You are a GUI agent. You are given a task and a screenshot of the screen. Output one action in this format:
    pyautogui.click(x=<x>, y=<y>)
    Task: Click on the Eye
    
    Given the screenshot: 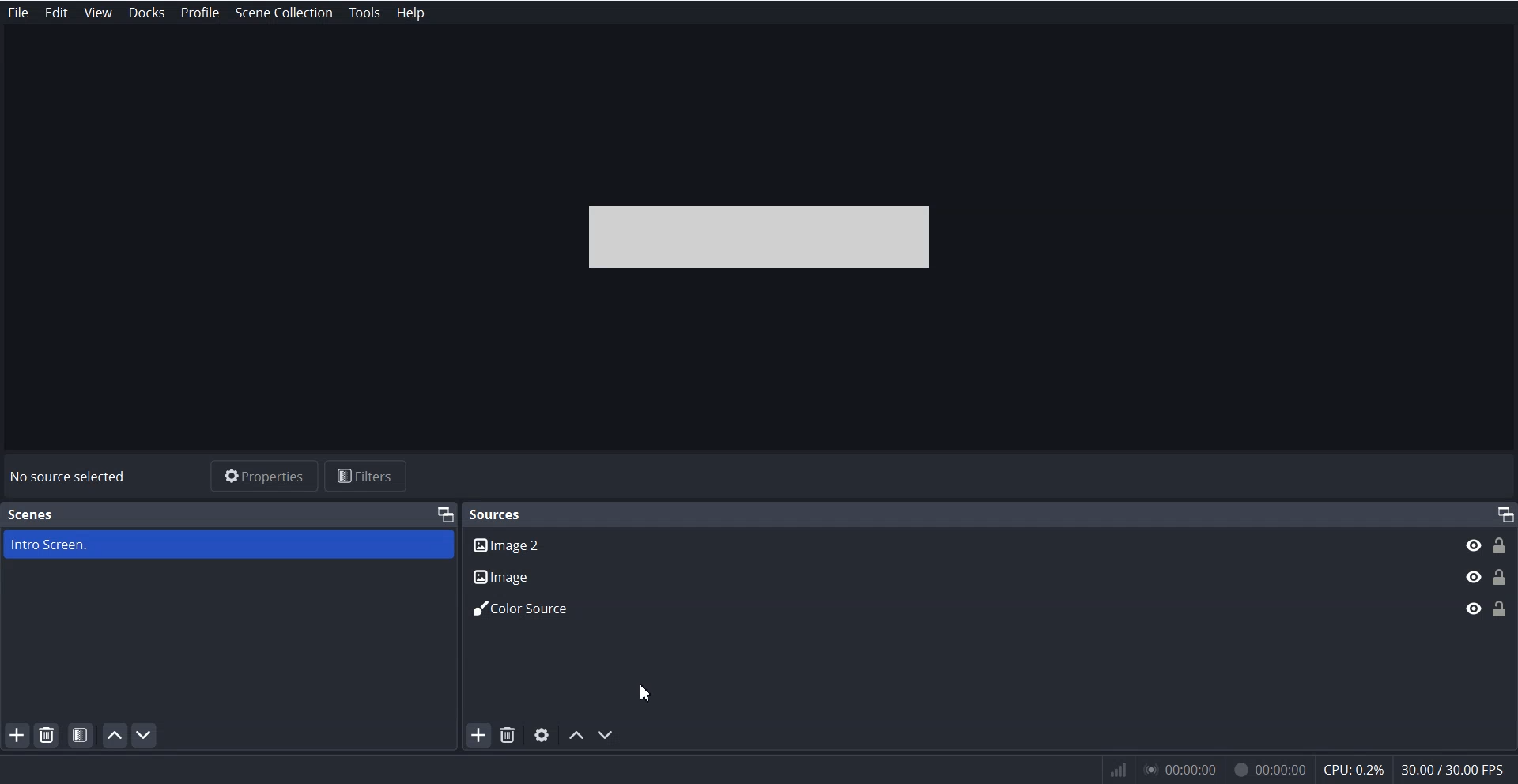 What is the action you would take?
    pyautogui.click(x=1472, y=576)
    